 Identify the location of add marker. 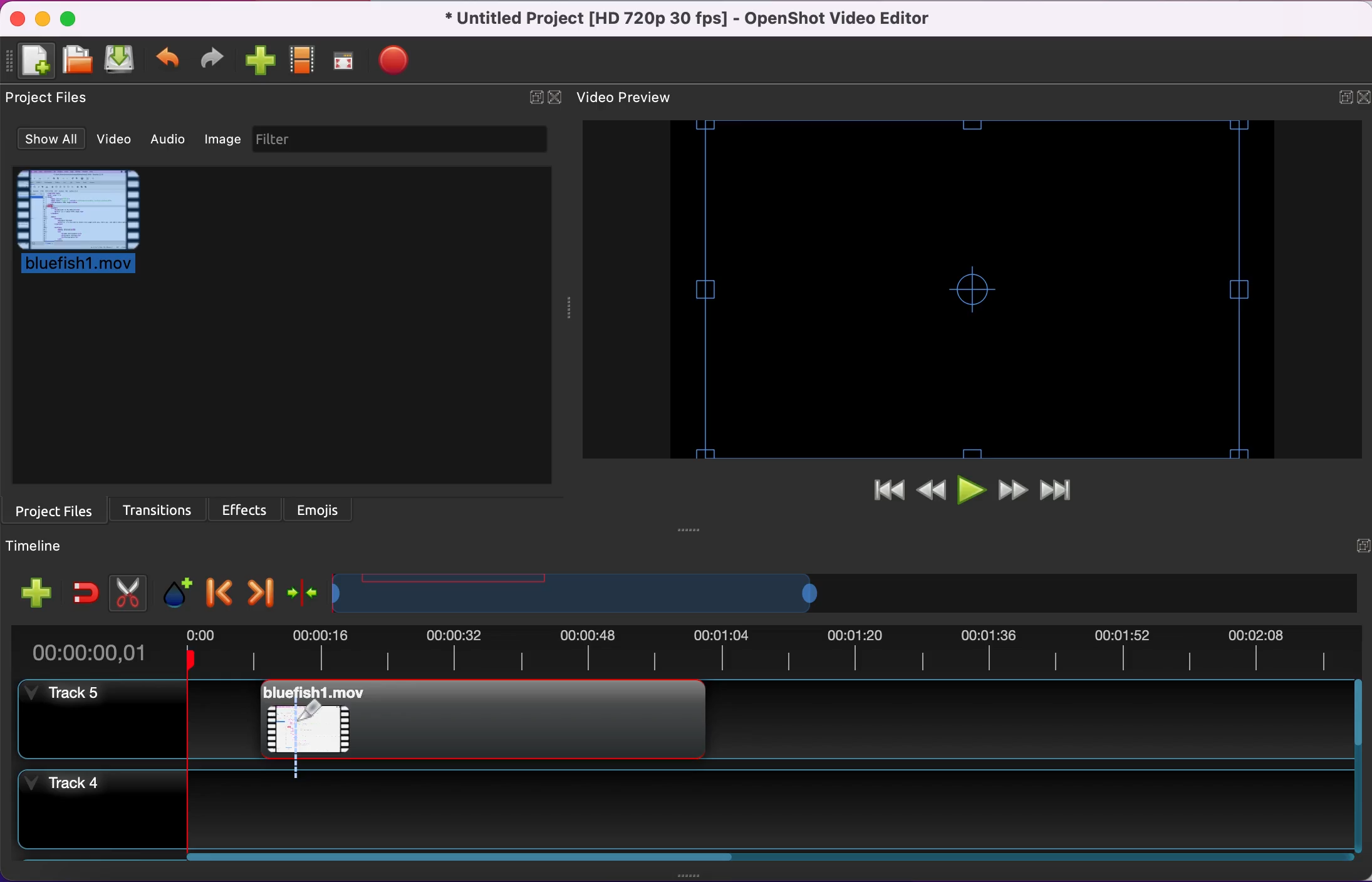
(174, 591).